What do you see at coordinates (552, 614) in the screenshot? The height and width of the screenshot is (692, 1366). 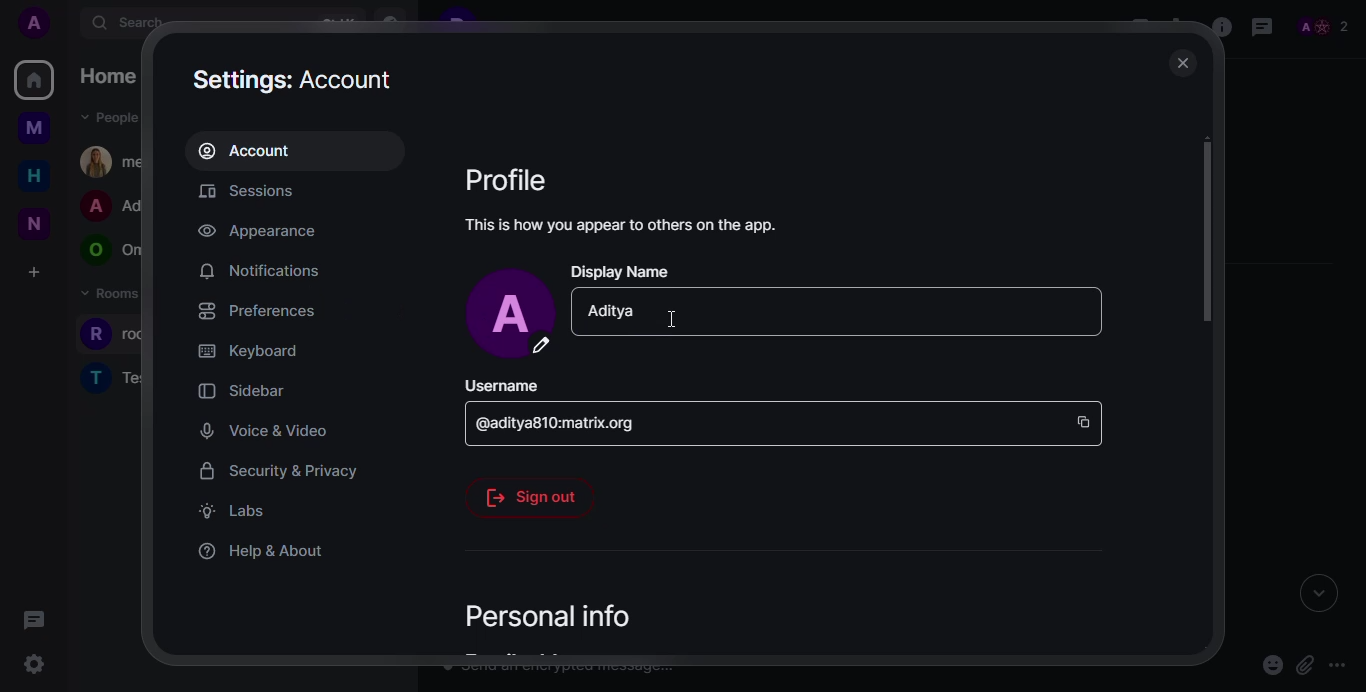 I see `personal info` at bounding box center [552, 614].